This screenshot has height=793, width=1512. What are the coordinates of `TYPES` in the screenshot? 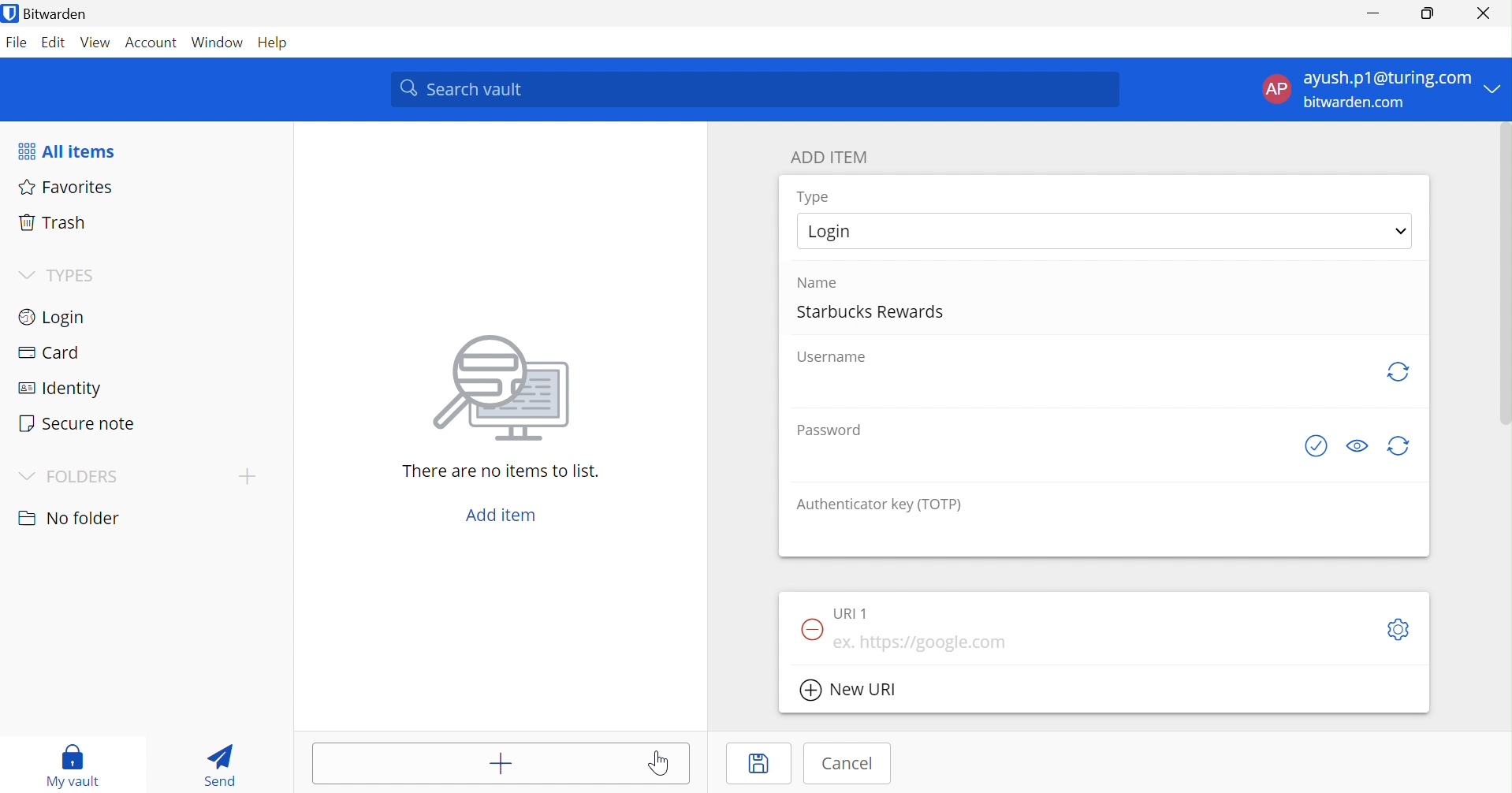 It's located at (76, 275).